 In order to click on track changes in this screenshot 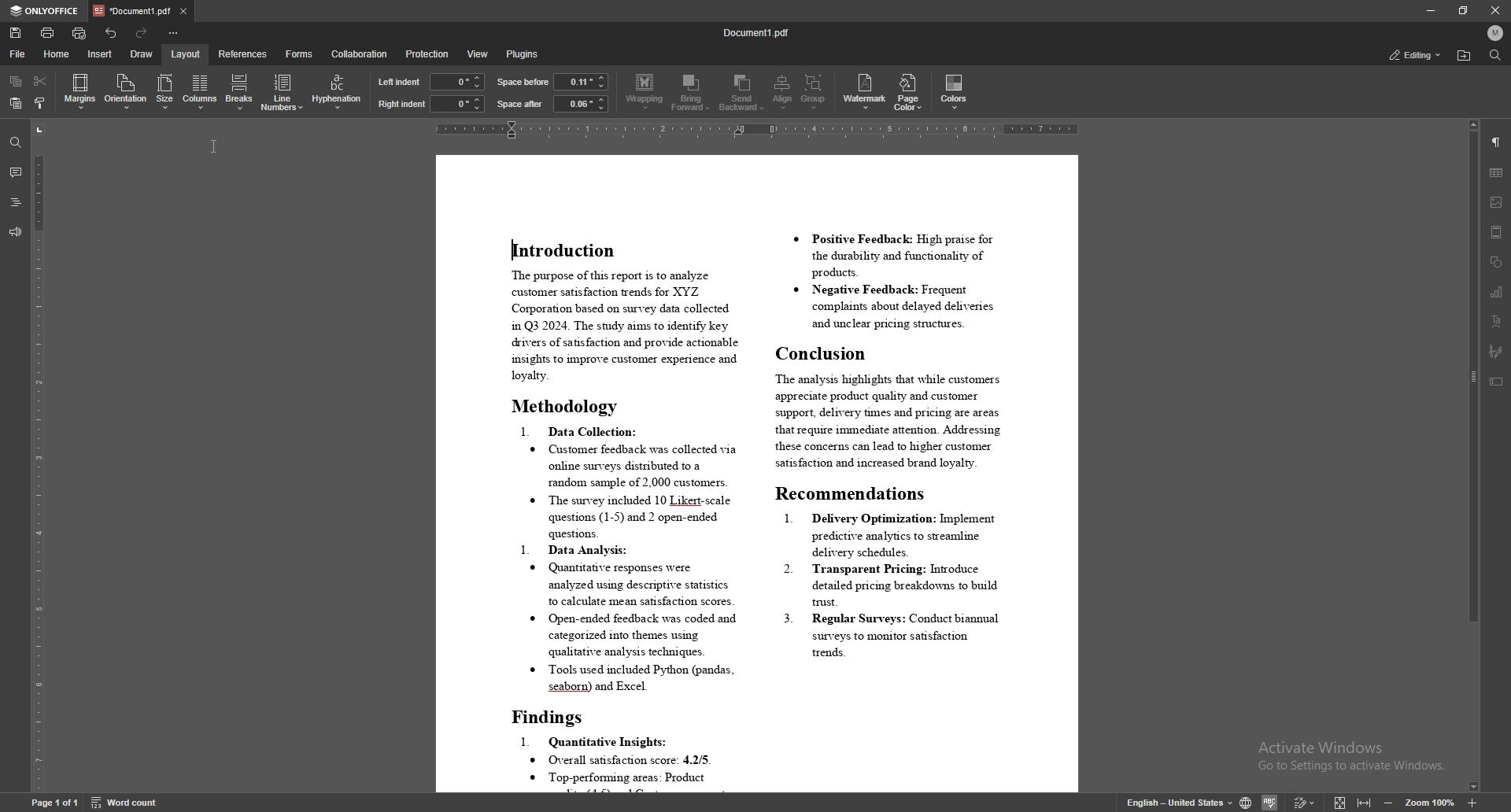, I will do `click(1305, 802)`.